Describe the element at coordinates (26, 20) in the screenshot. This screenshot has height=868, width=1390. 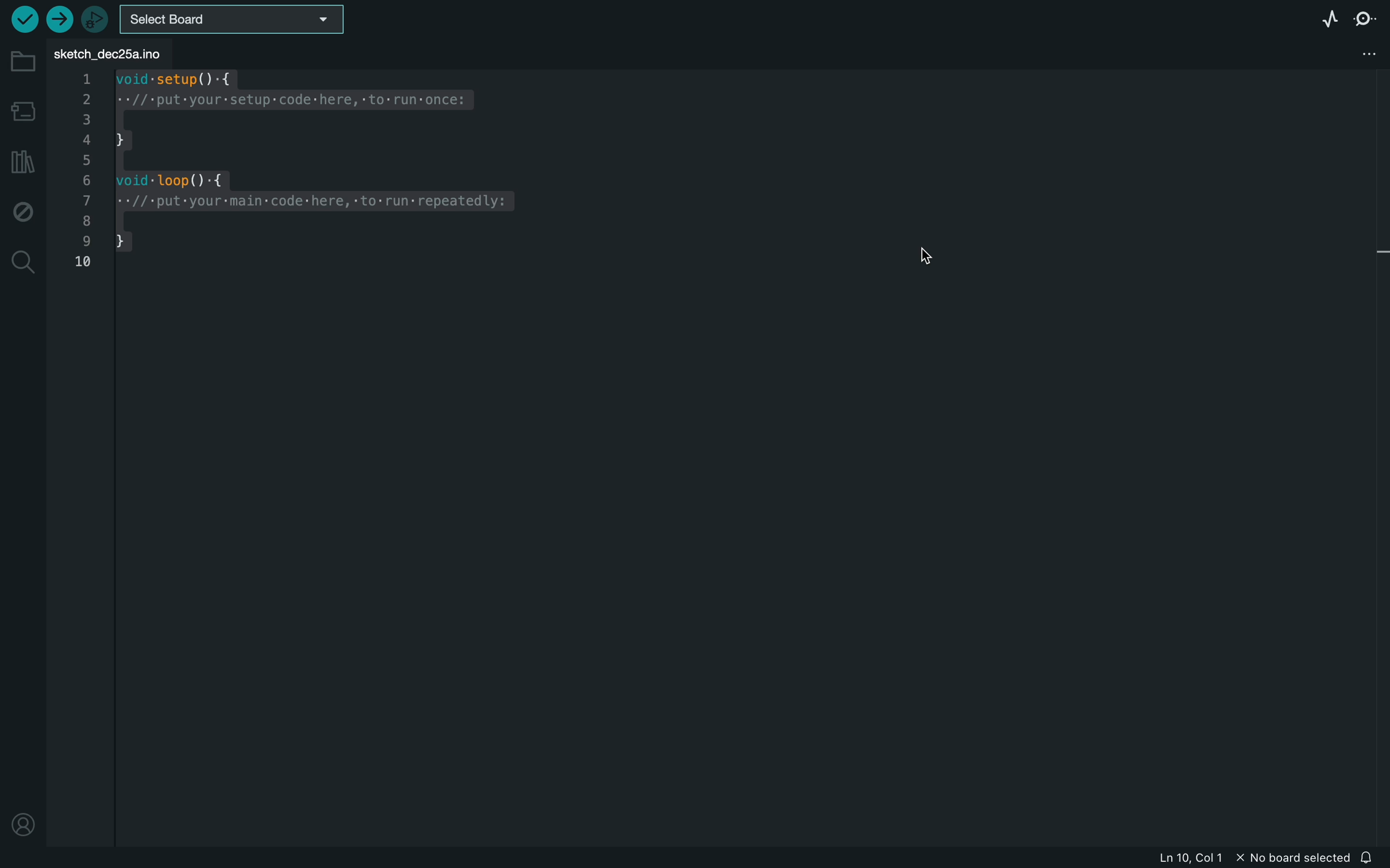
I see `verify` at that location.